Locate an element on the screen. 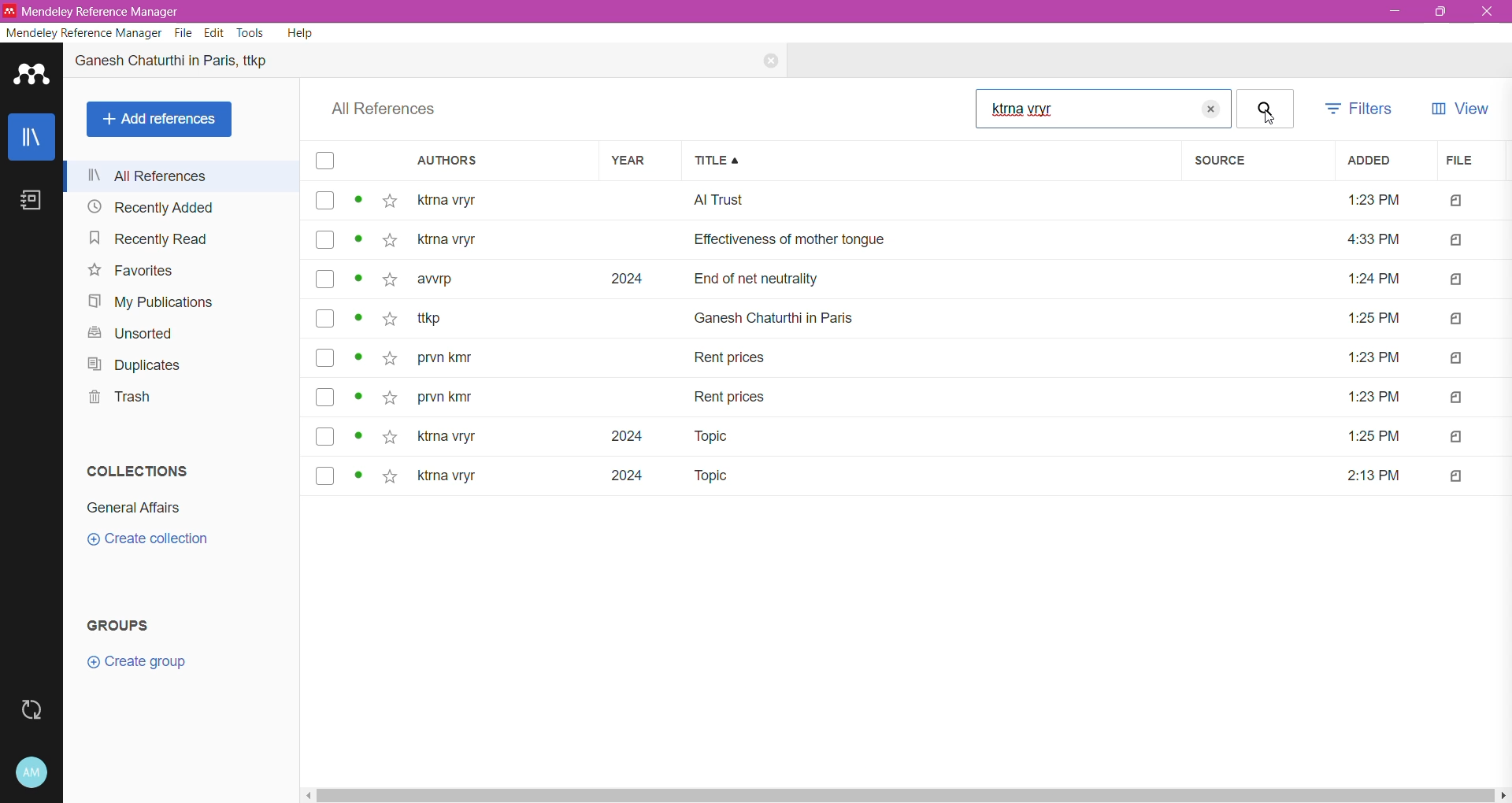 The image size is (1512, 803). view status is located at coordinates (361, 279).